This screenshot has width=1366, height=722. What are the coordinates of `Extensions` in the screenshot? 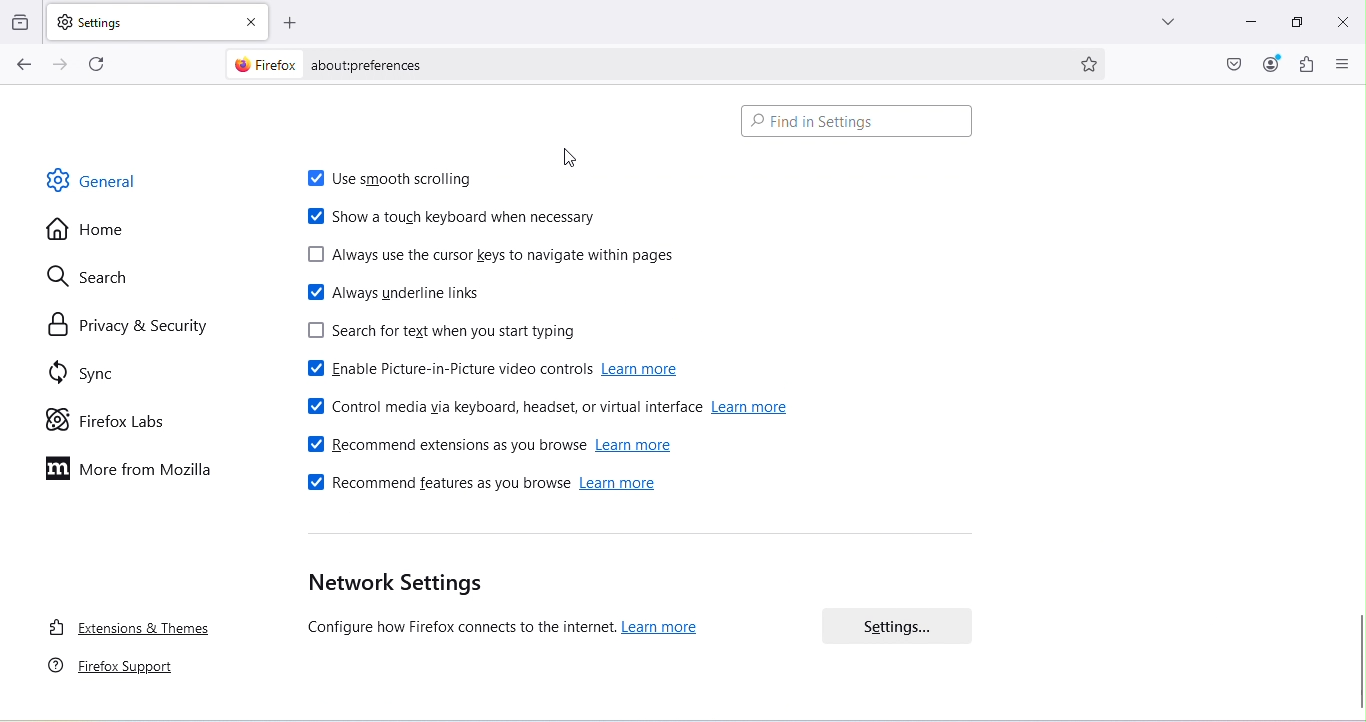 It's located at (1303, 66).